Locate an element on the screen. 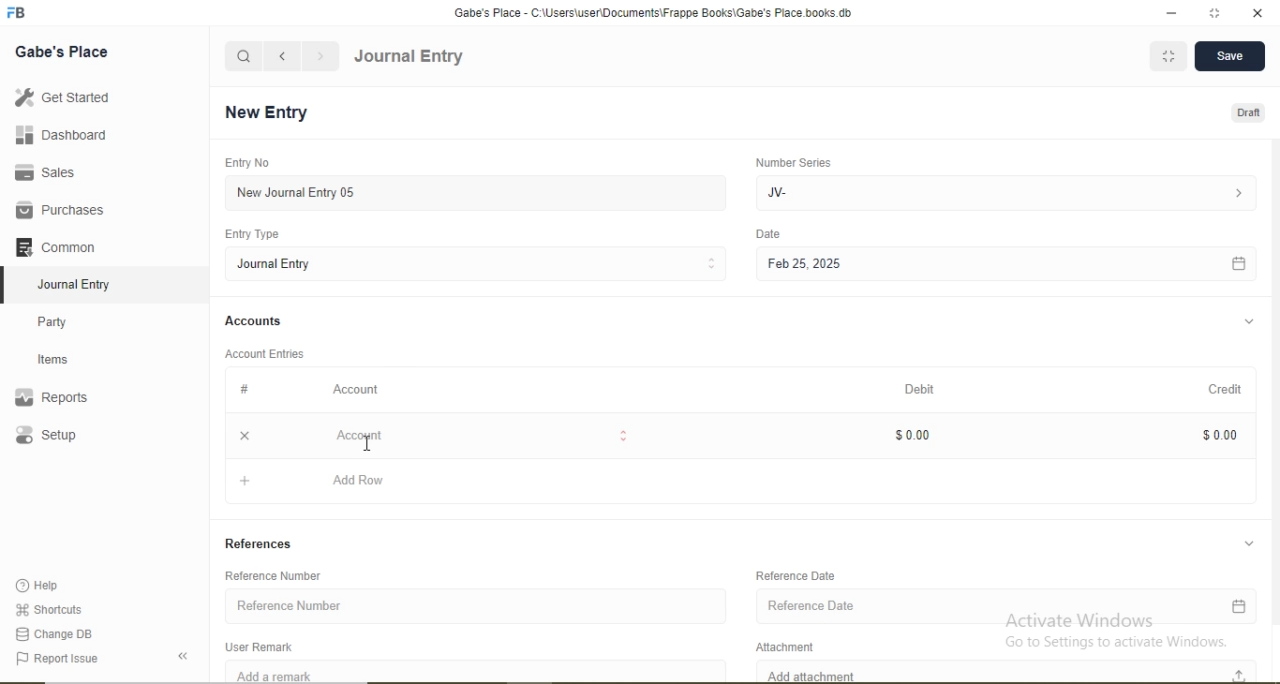 The width and height of the screenshot is (1280, 684). Common is located at coordinates (60, 245).